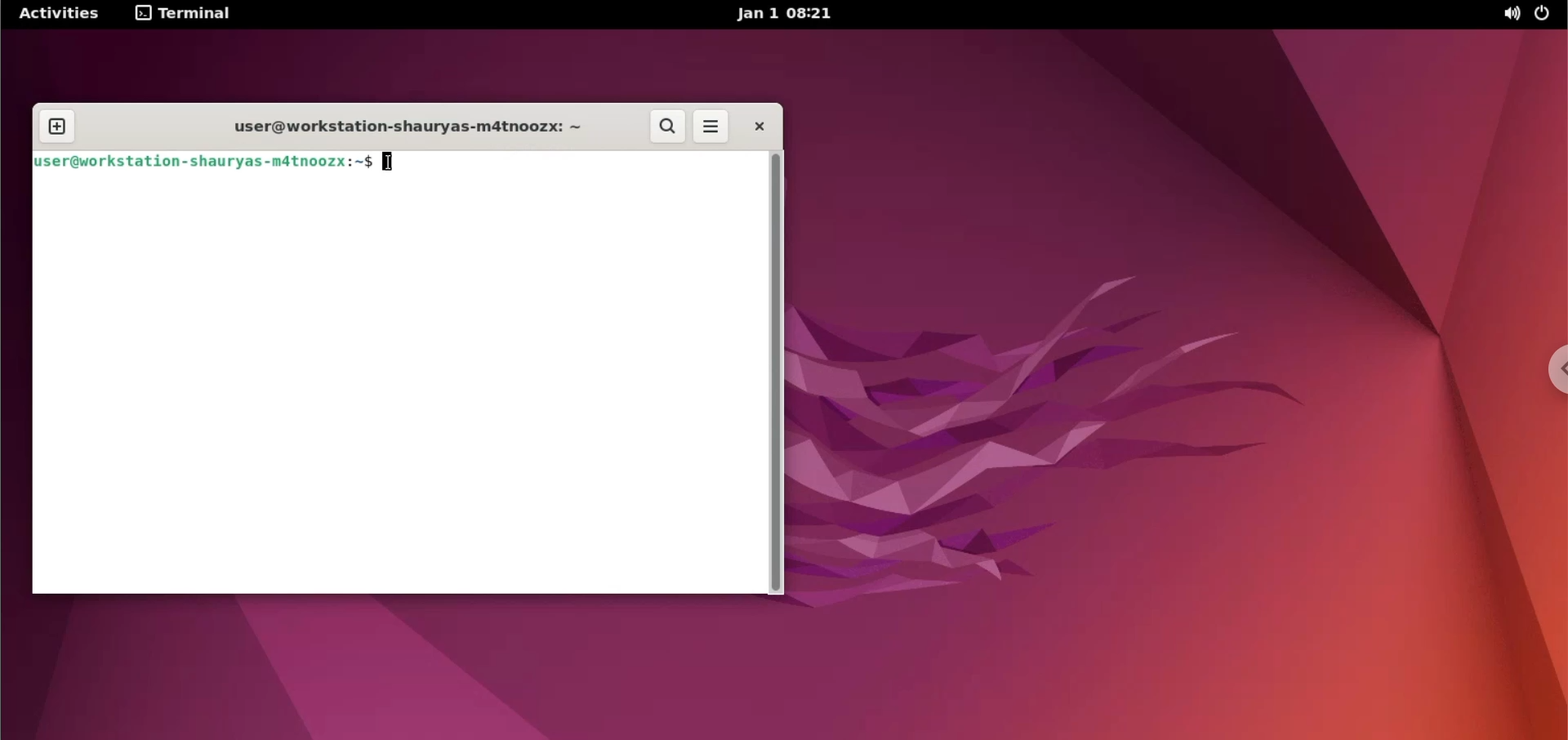 This screenshot has height=740, width=1568. What do you see at coordinates (60, 14) in the screenshot?
I see `Activities` at bounding box center [60, 14].